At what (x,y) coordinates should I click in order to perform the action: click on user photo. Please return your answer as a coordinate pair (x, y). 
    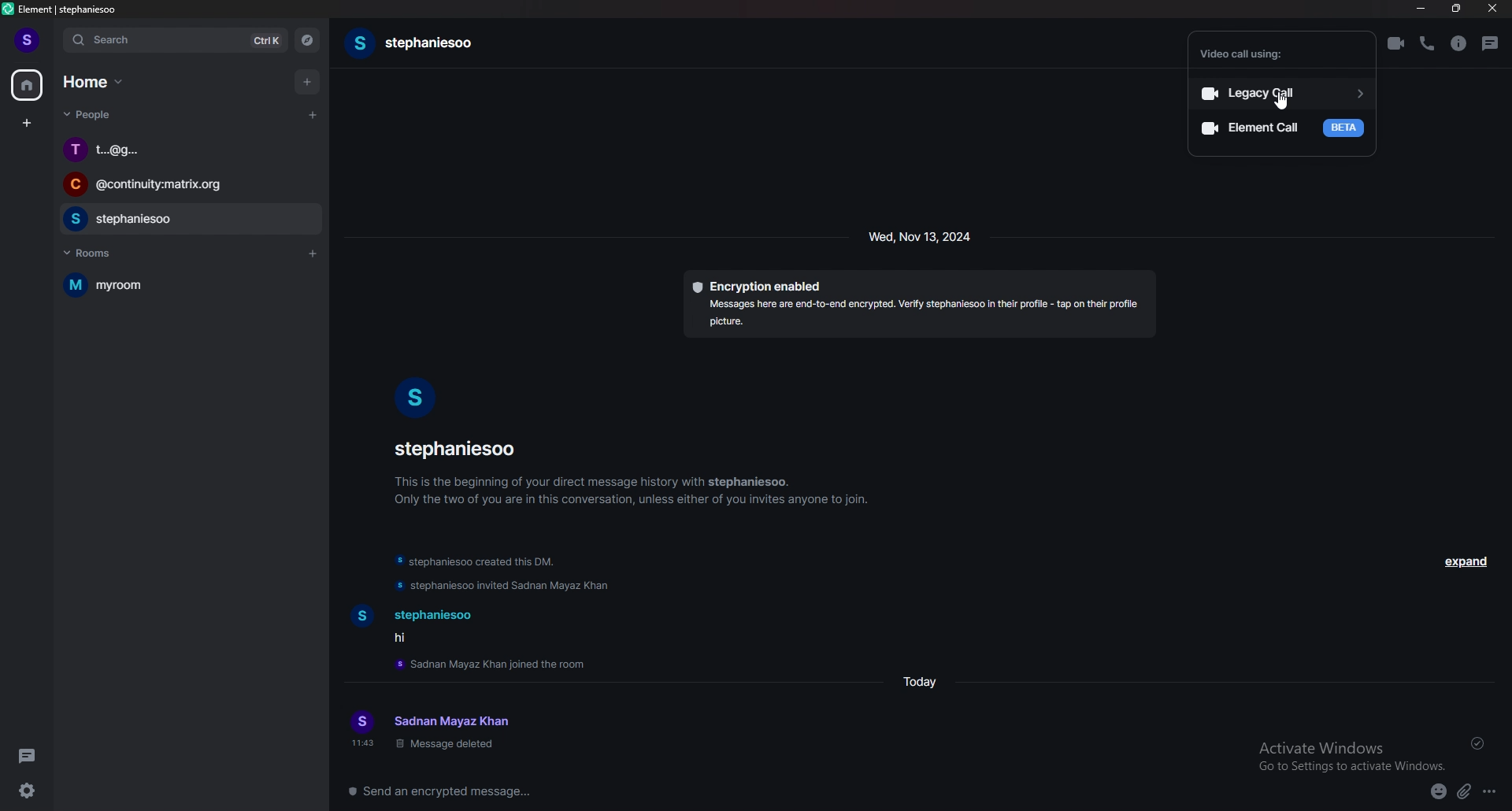
    Looking at the image, I should click on (417, 397).